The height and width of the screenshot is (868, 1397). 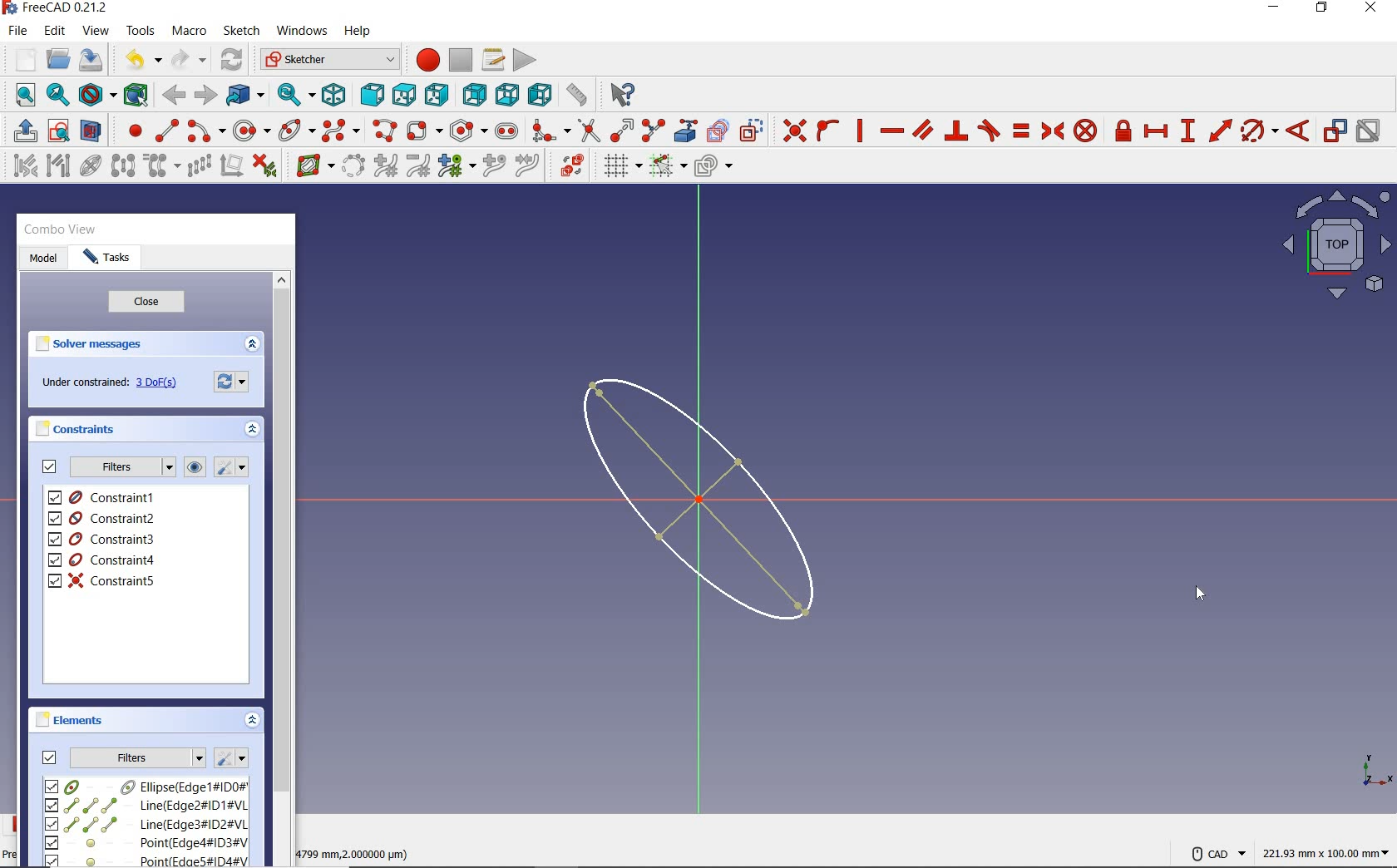 I want to click on constrain tangent, so click(x=990, y=129).